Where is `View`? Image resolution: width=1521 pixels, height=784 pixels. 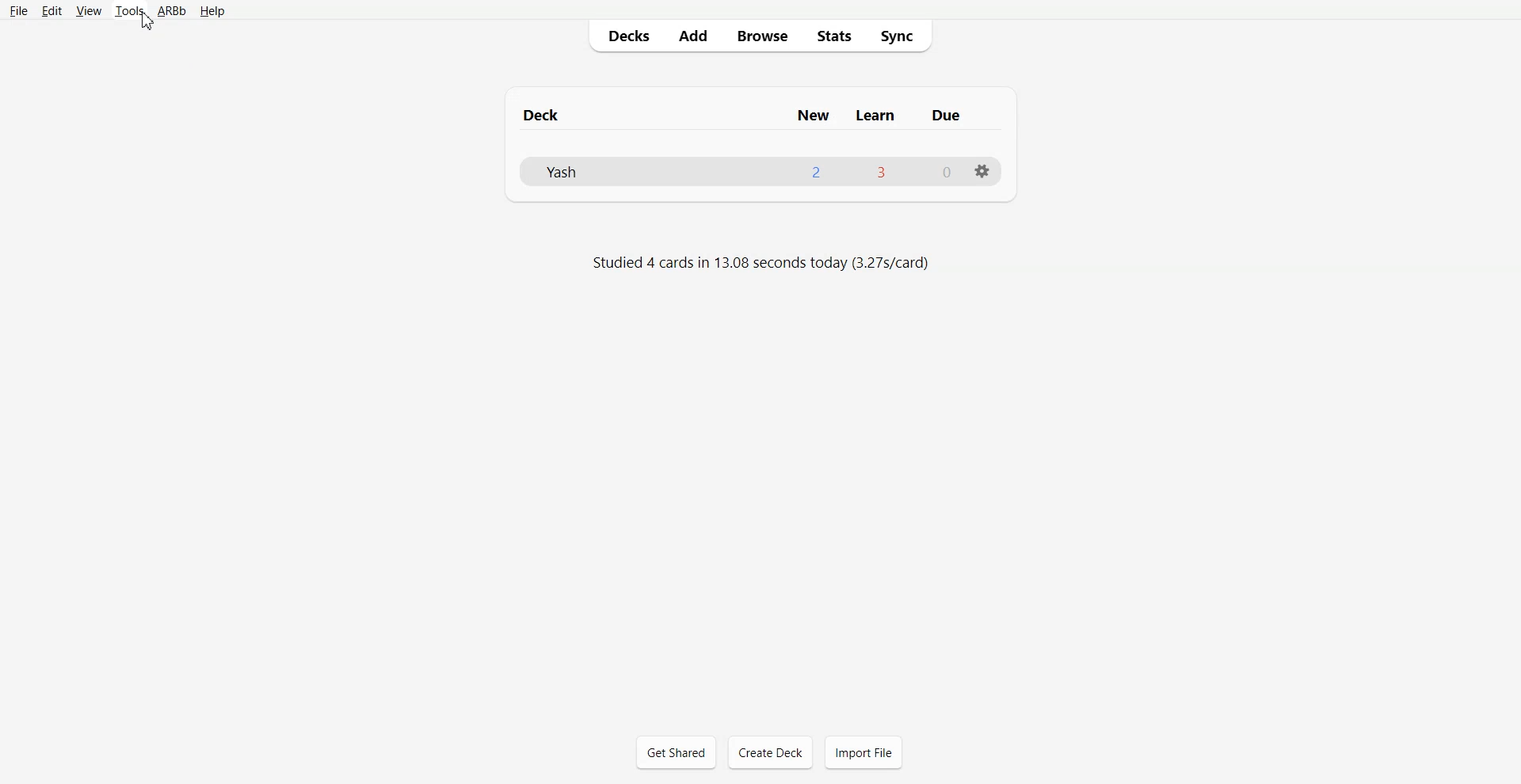
View is located at coordinates (87, 10).